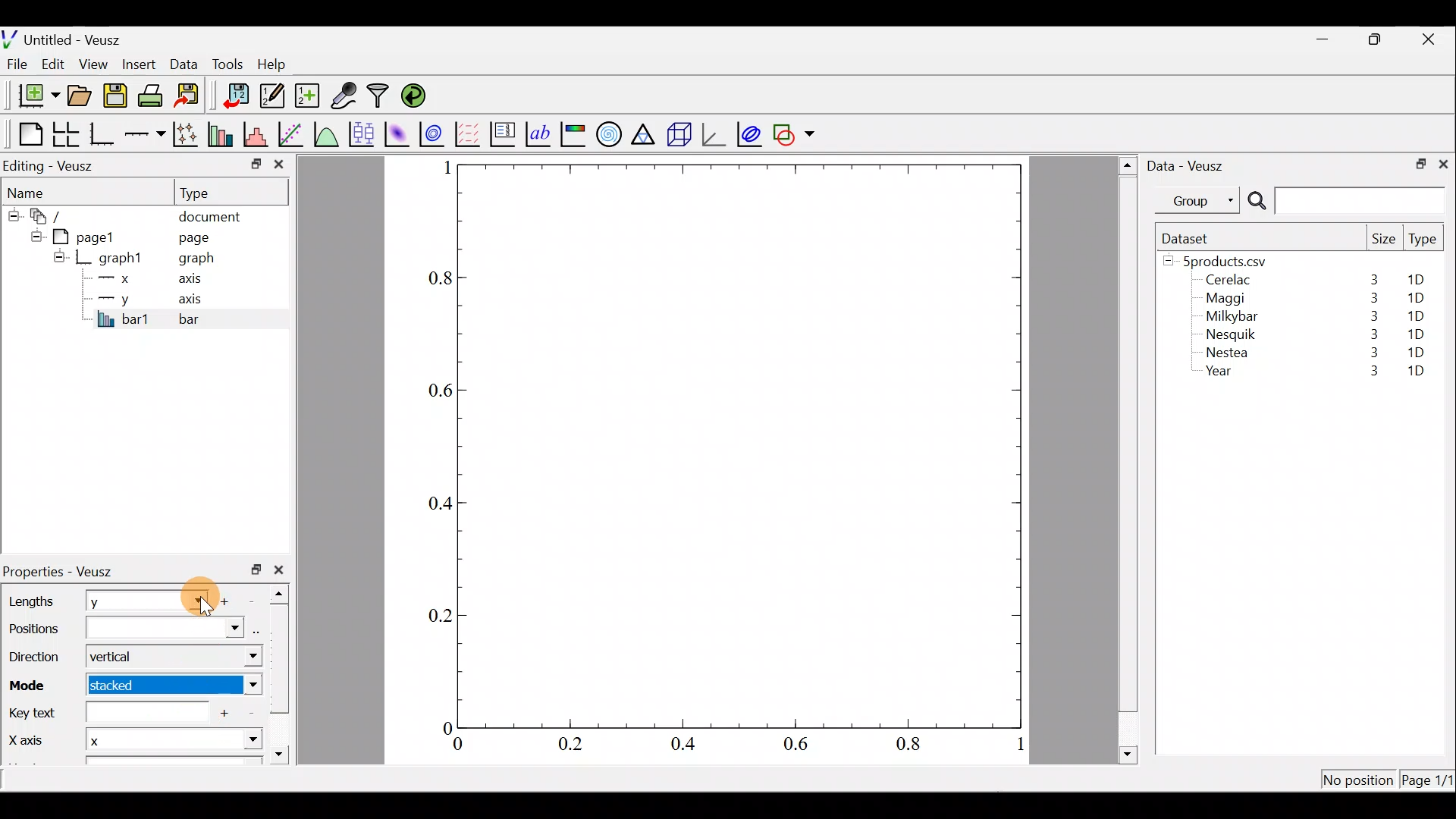 This screenshot has width=1456, height=819. Describe the element at coordinates (64, 572) in the screenshot. I see `Properties - Veusz` at that location.